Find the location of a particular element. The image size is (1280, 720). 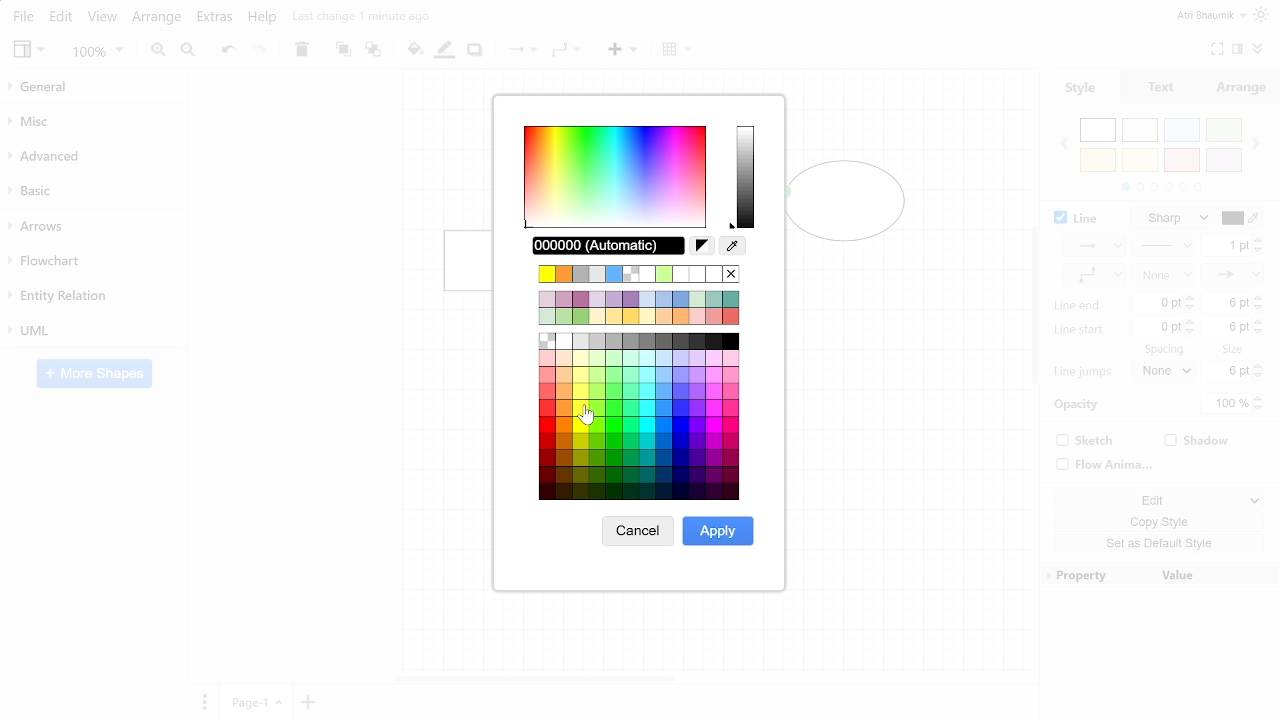

Cancel is located at coordinates (639, 531).